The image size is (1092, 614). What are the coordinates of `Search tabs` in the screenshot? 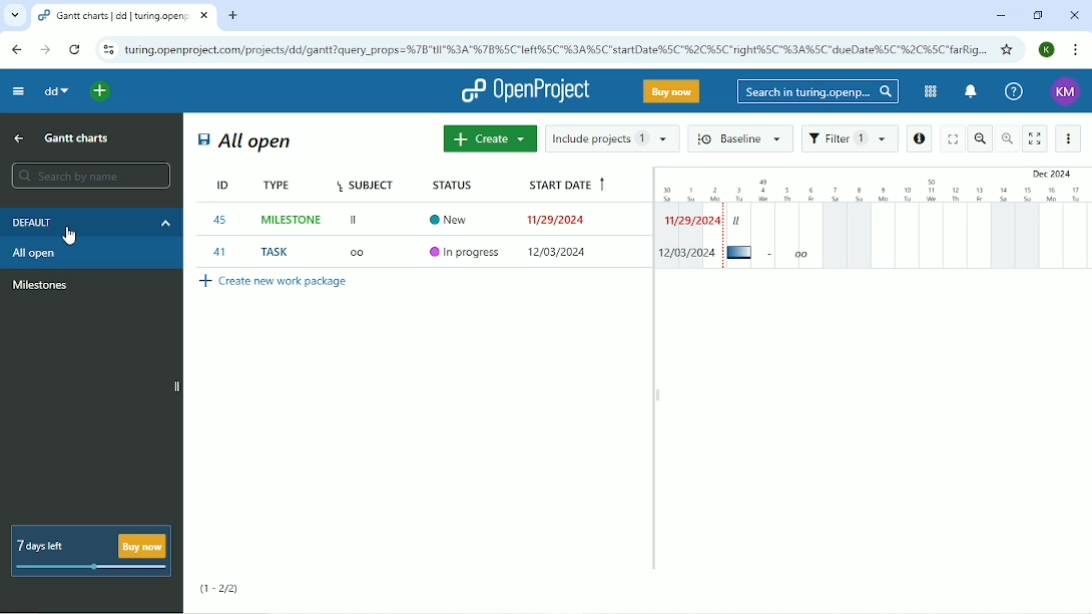 It's located at (13, 15).